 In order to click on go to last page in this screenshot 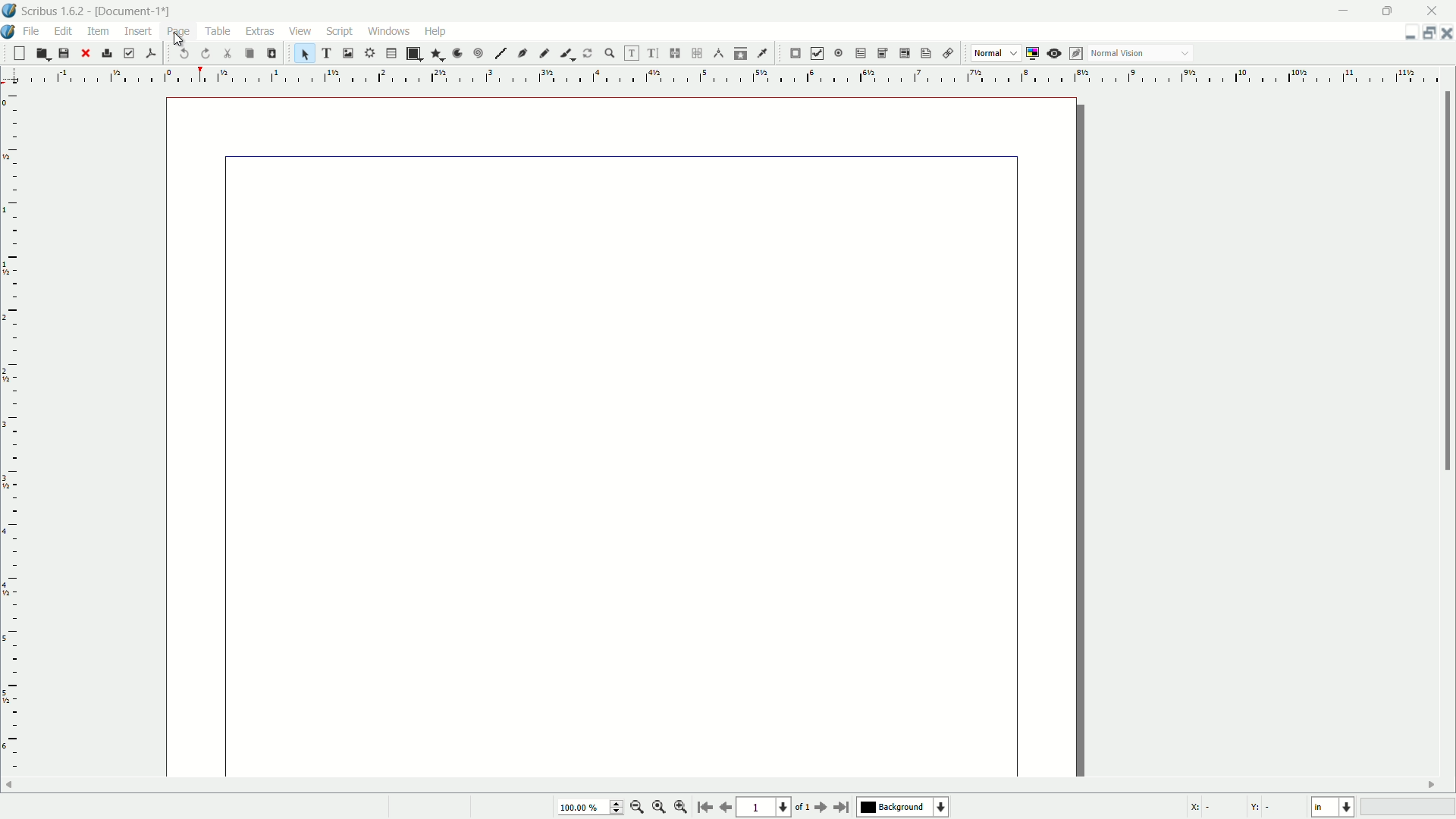, I will do `click(843, 807)`.